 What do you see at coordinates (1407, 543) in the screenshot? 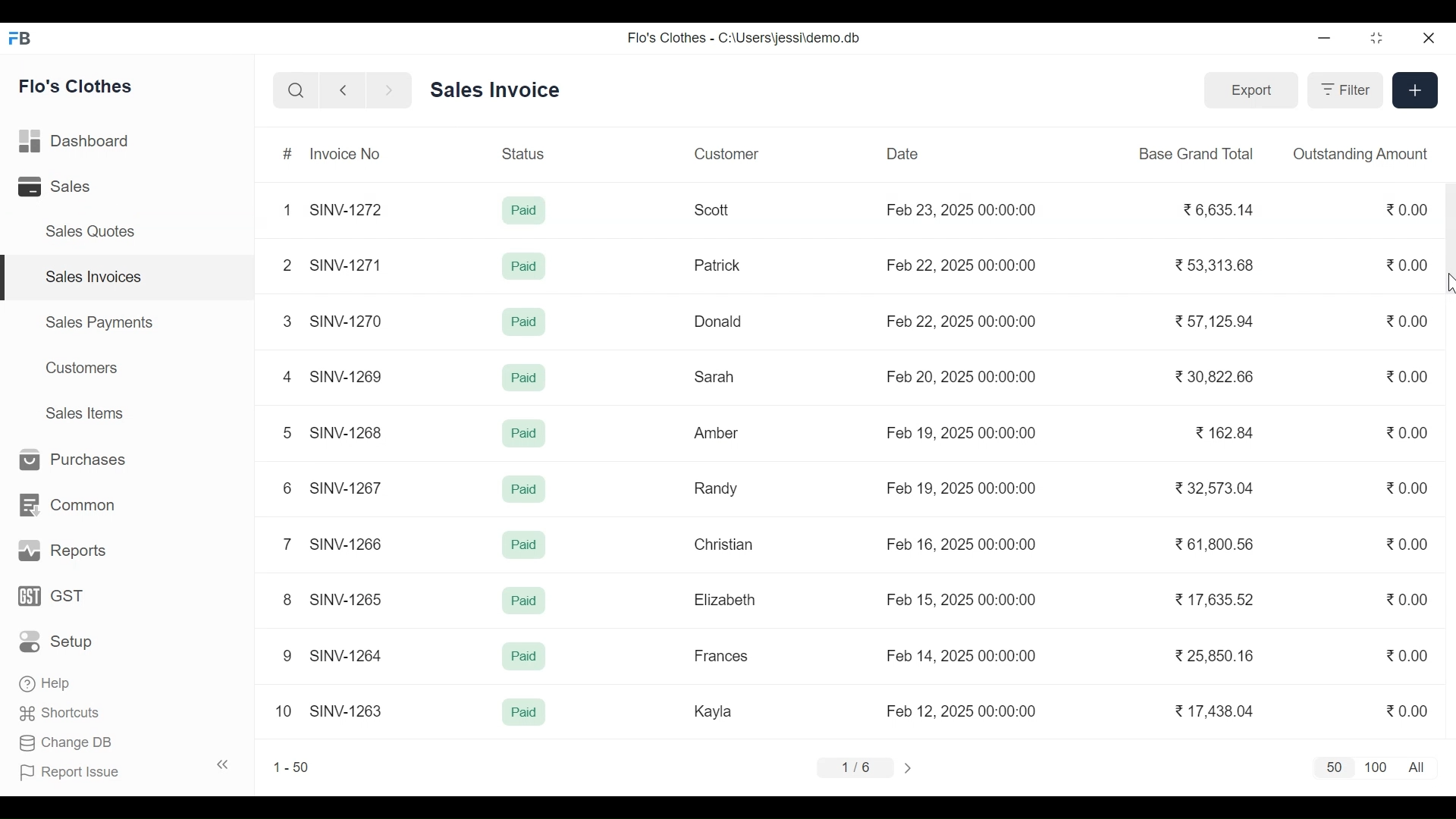
I see `0.00` at bounding box center [1407, 543].